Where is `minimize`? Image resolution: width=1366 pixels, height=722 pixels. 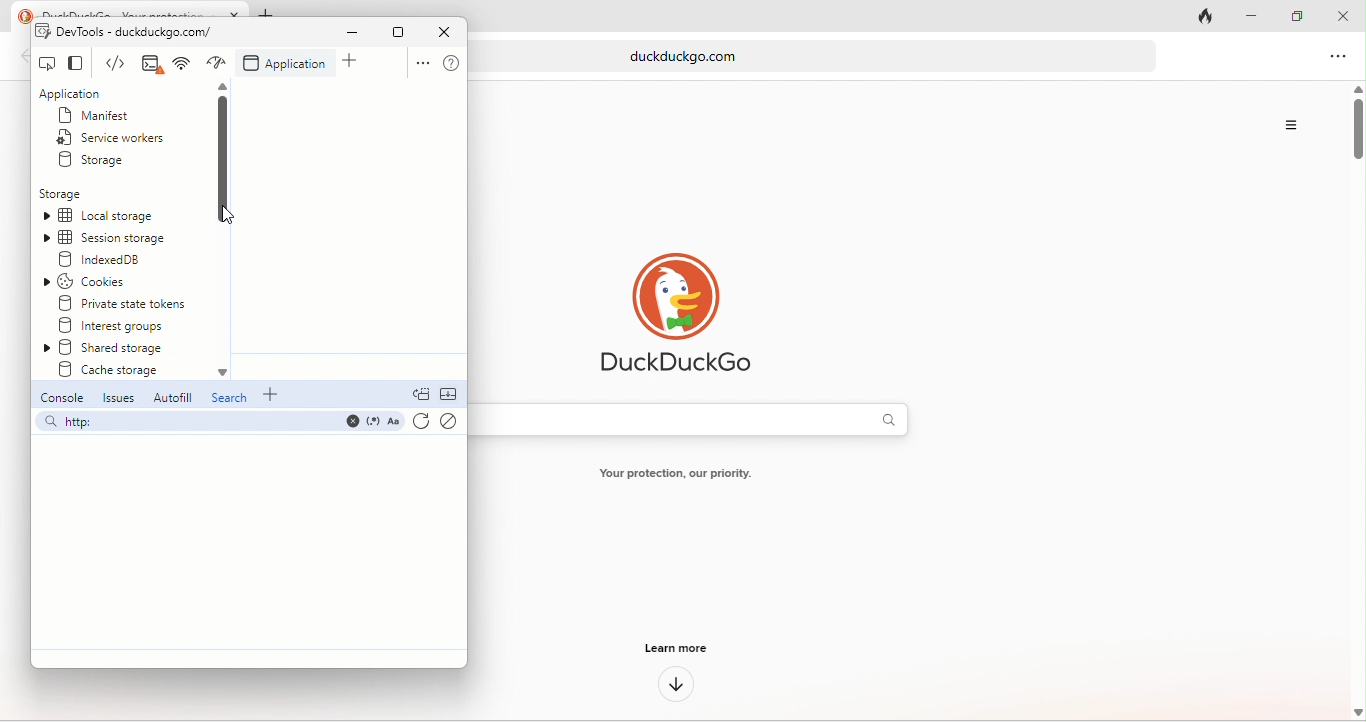 minimize is located at coordinates (345, 34).